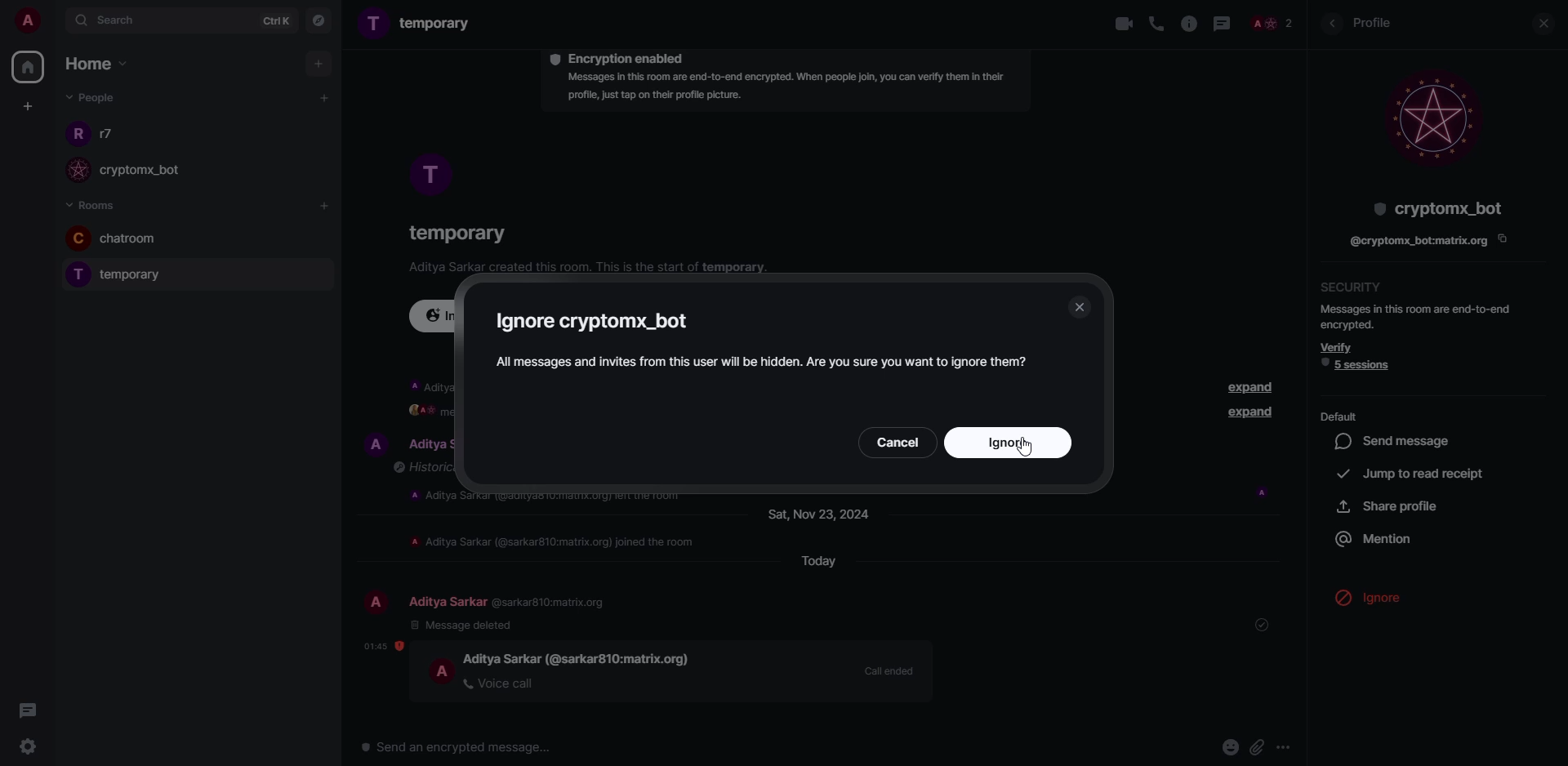 Image resolution: width=1568 pixels, height=766 pixels. What do you see at coordinates (898, 441) in the screenshot?
I see `cancel` at bounding box center [898, 441].